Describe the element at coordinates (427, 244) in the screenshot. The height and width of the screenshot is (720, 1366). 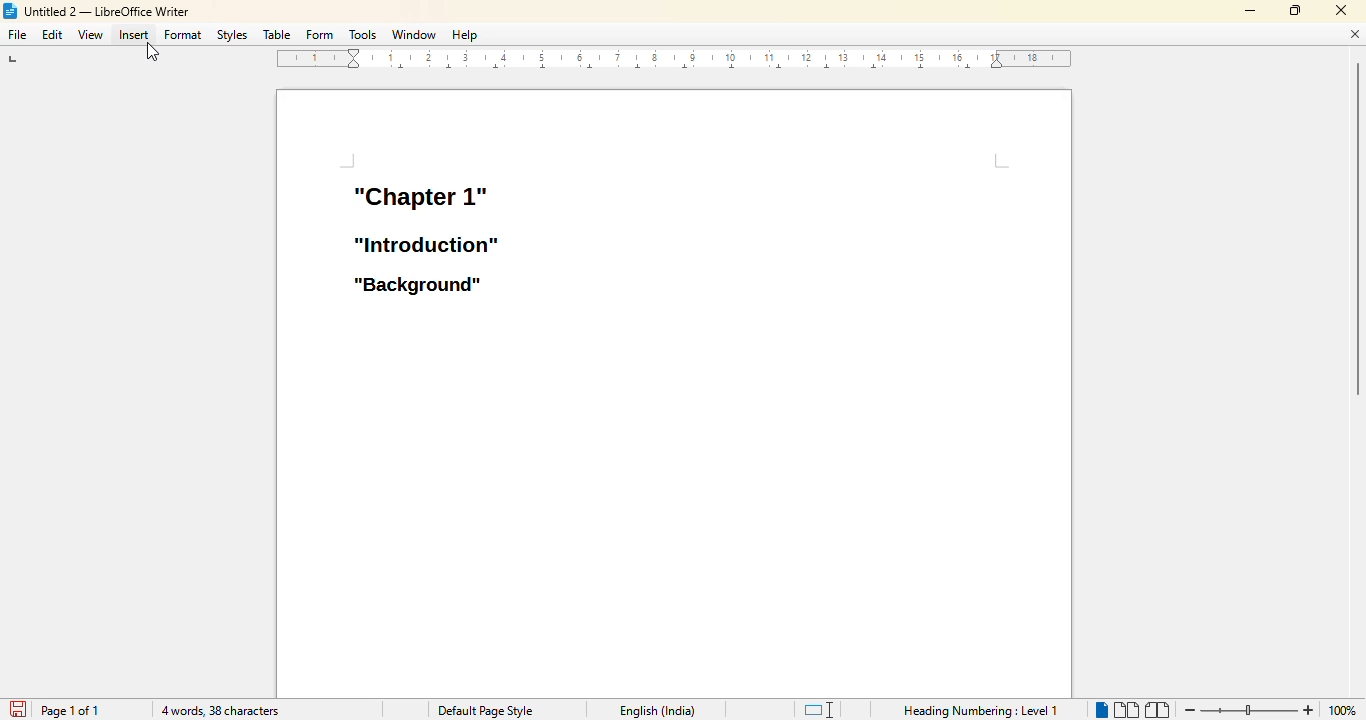
I see `heading 2` at that location.